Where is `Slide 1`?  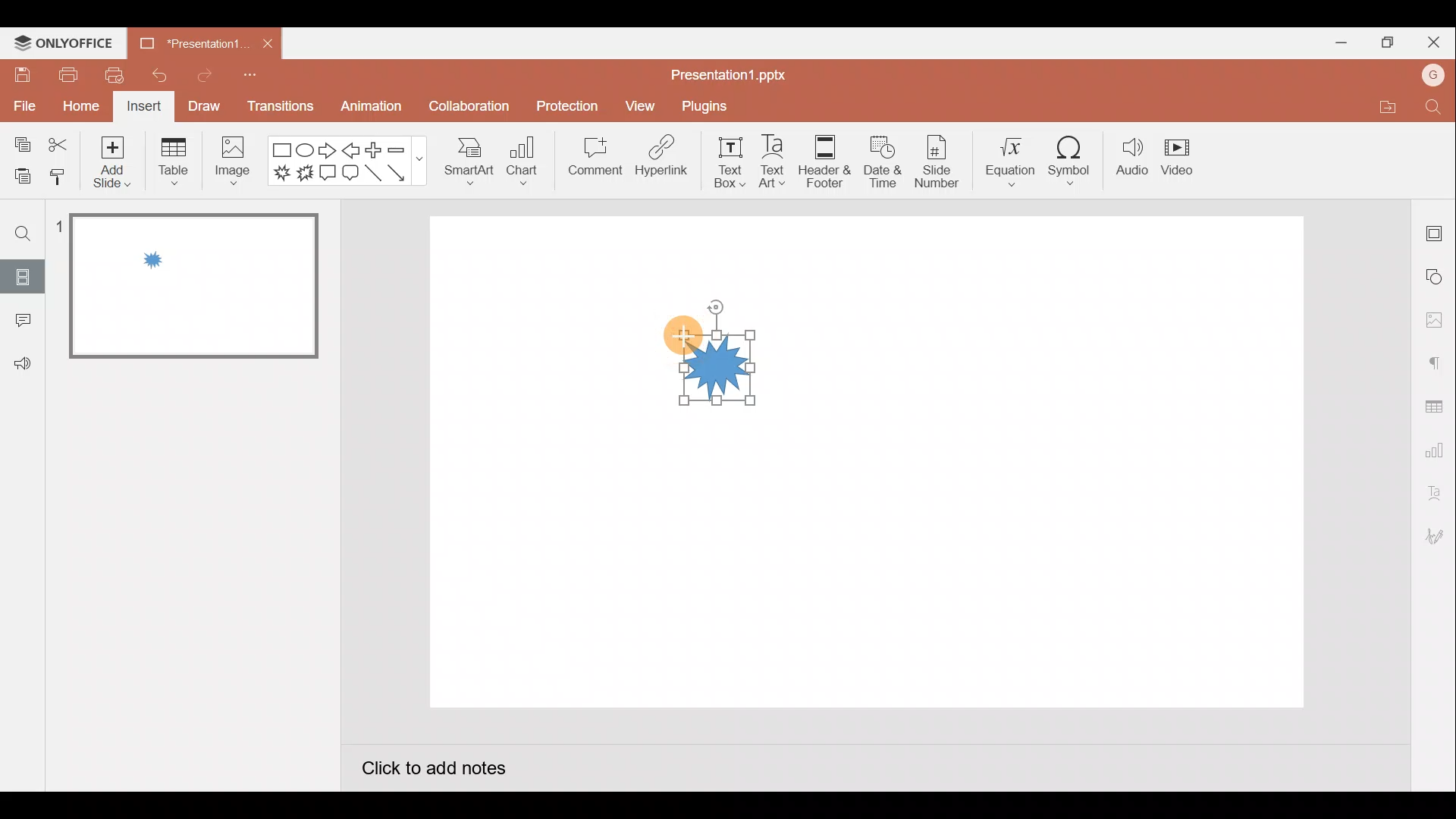 Slide 1 is located at coordinates (184, 287).